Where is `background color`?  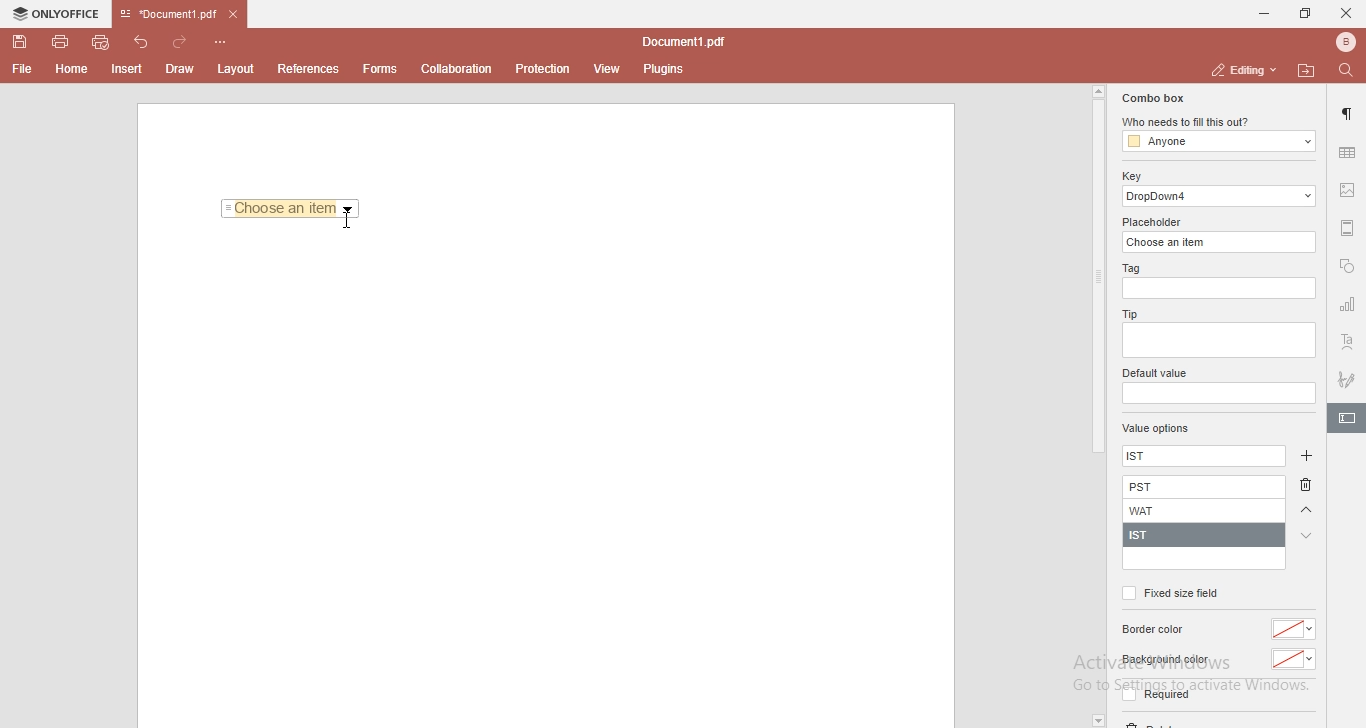
background color is located at coordinates (1164, 660).